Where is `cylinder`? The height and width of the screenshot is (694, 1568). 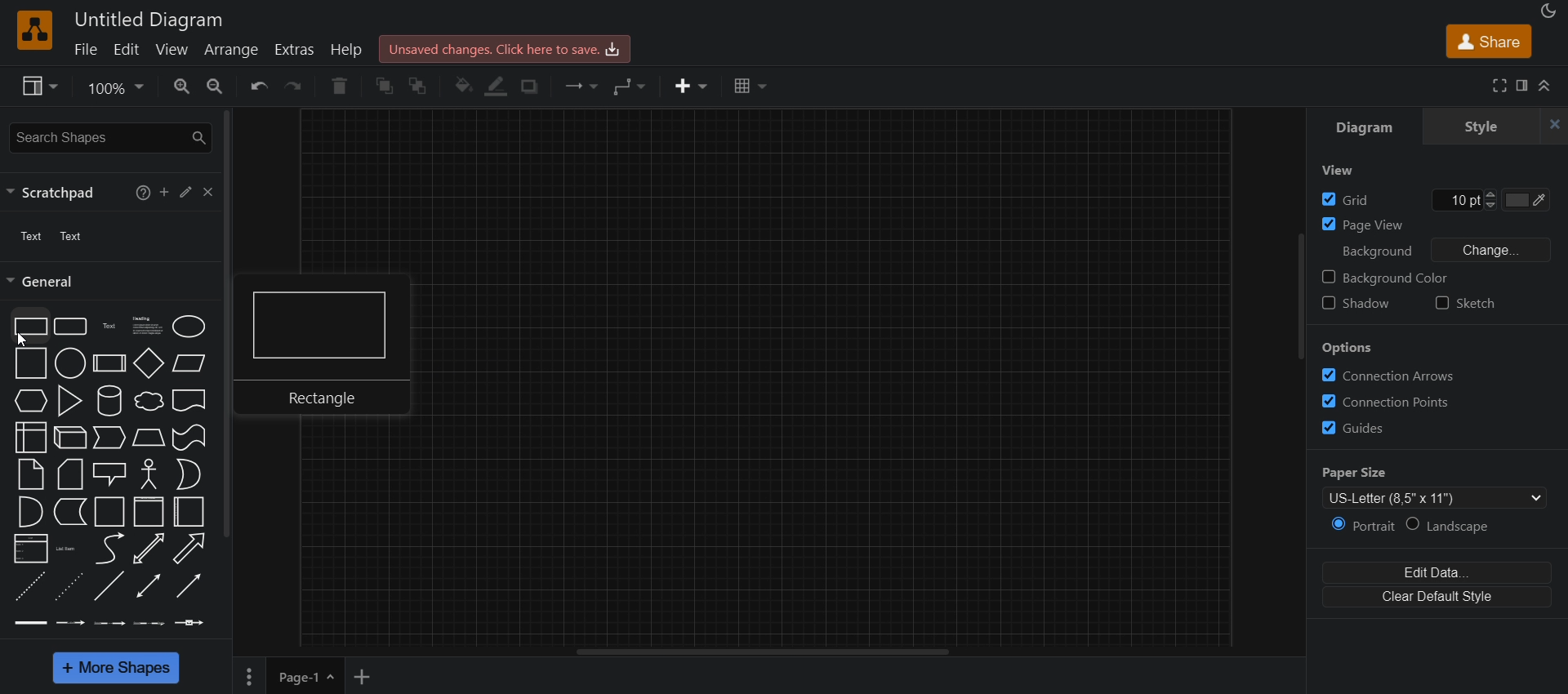
cylinder is located at coordinates (109, 402).